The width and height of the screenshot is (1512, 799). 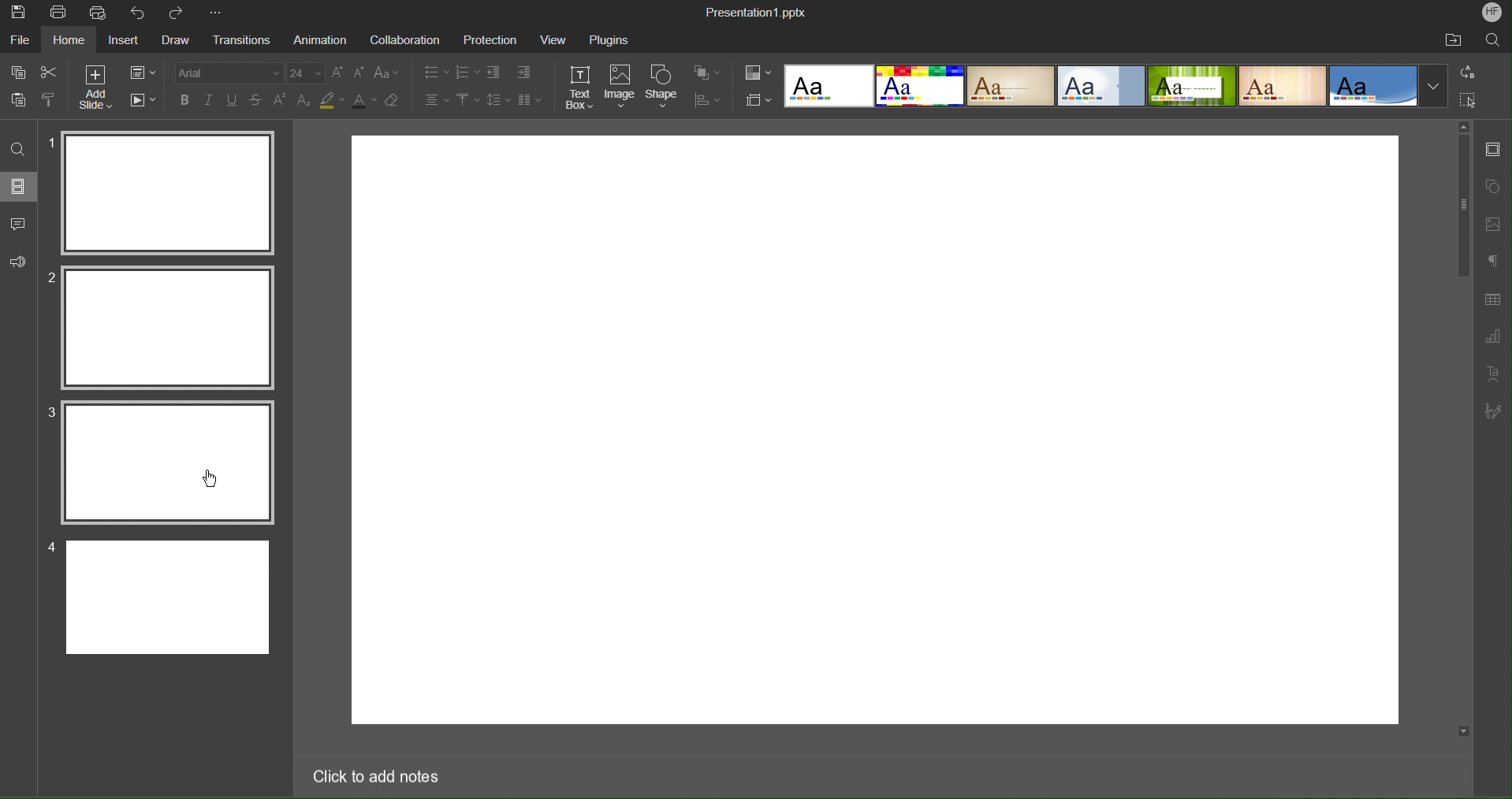 I want to click on font size, so click(x=305, y=73).